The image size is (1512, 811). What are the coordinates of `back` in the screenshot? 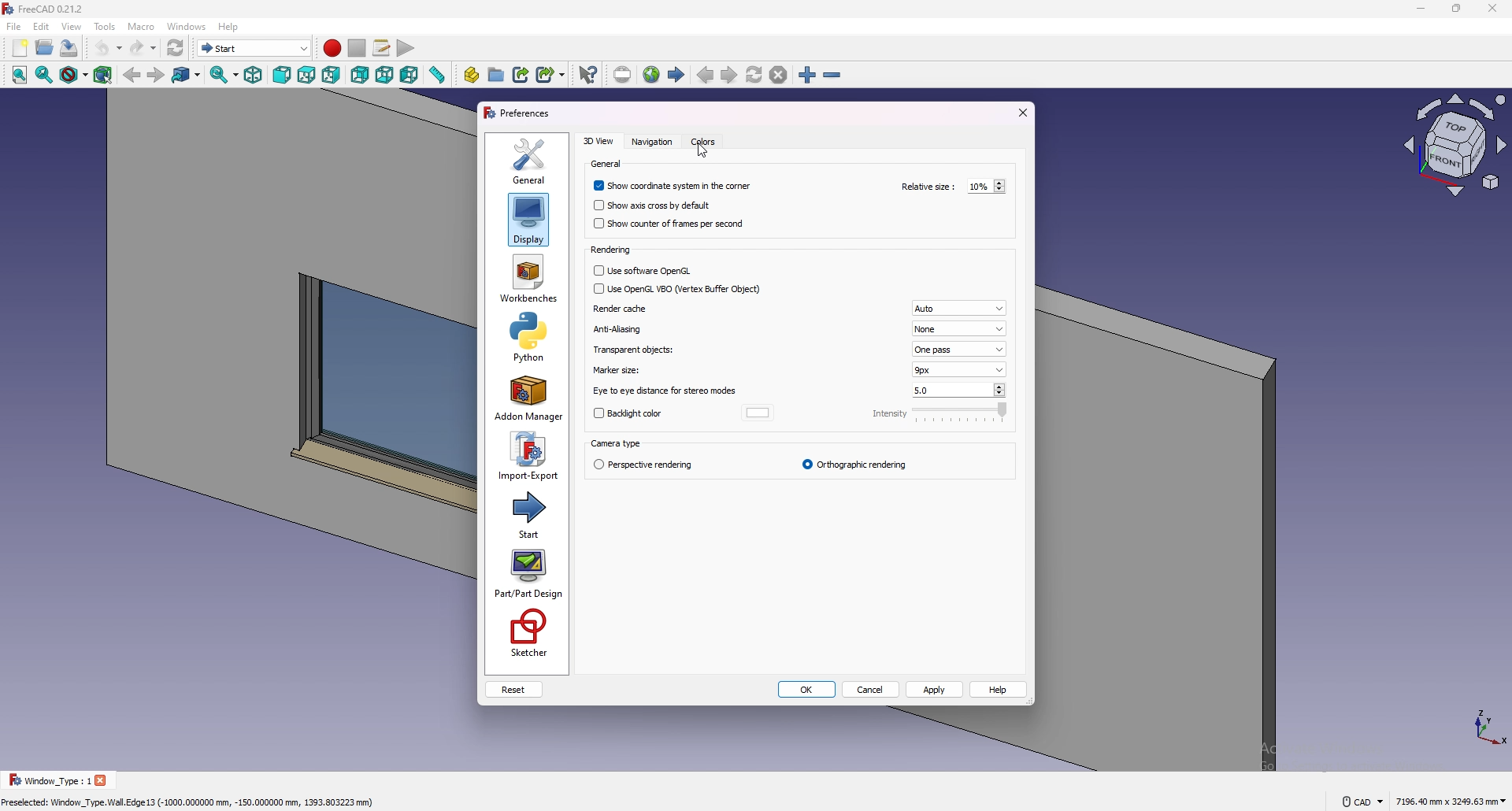 It's located at (132, 76).